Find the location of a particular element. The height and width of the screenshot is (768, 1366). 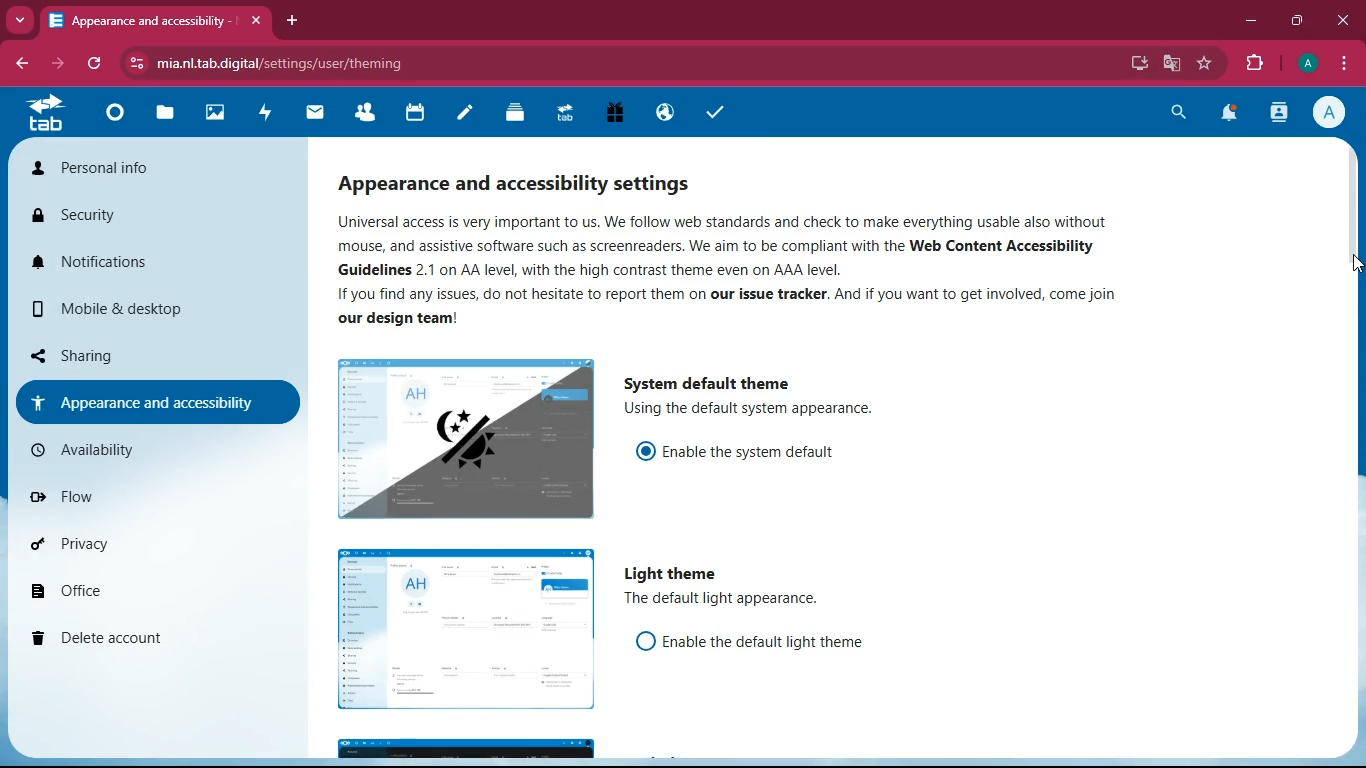

cursor is located at coordinates (1349, 268).